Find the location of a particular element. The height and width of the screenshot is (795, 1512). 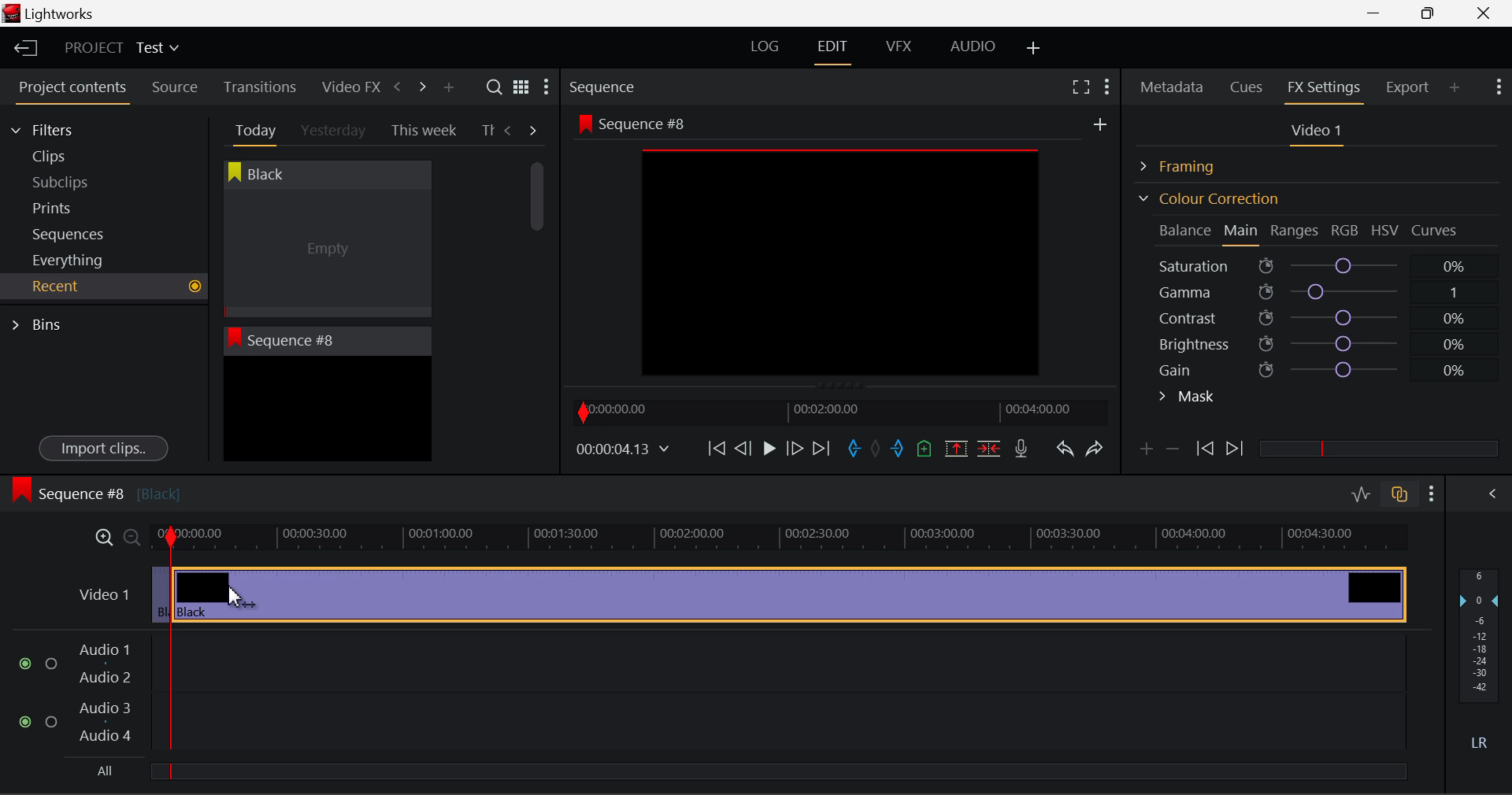

Sequence #8 Preview Screen is located at coordinates (841, 250).